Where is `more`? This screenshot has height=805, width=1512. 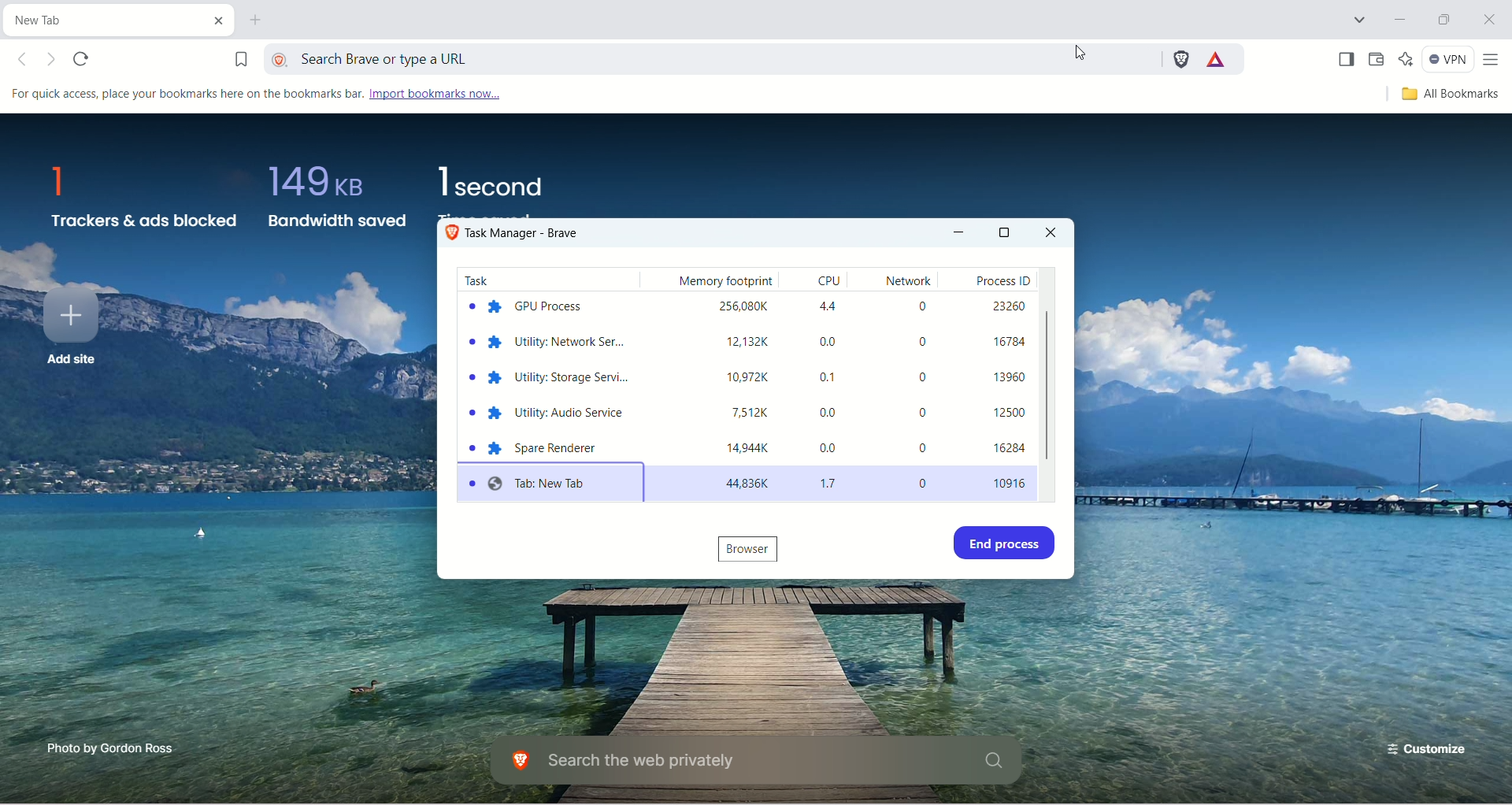
more is located at coordinates (1492, 61).